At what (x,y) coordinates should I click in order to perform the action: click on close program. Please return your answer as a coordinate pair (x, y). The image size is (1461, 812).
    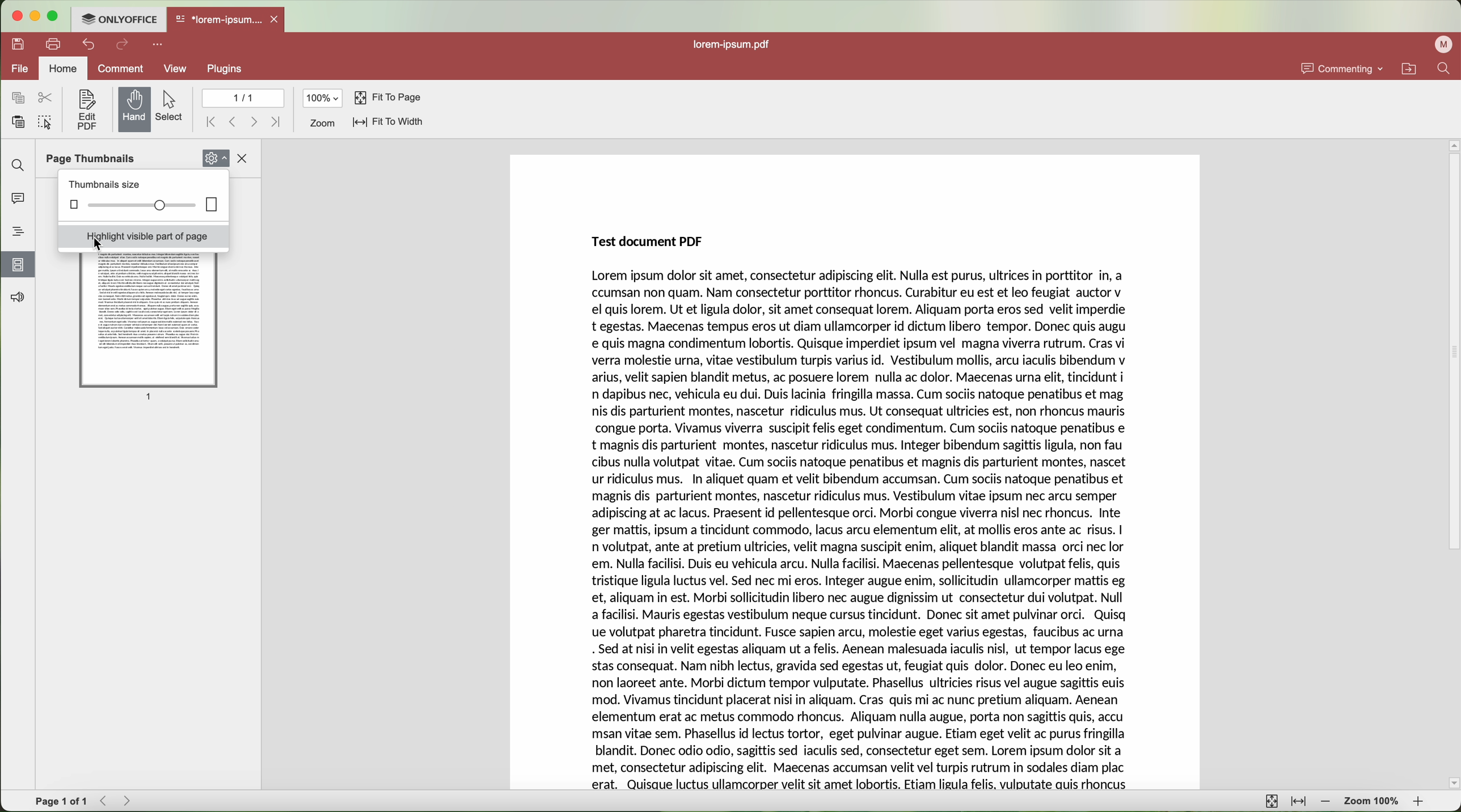
    Looking at the image, I should click on (13, 16).